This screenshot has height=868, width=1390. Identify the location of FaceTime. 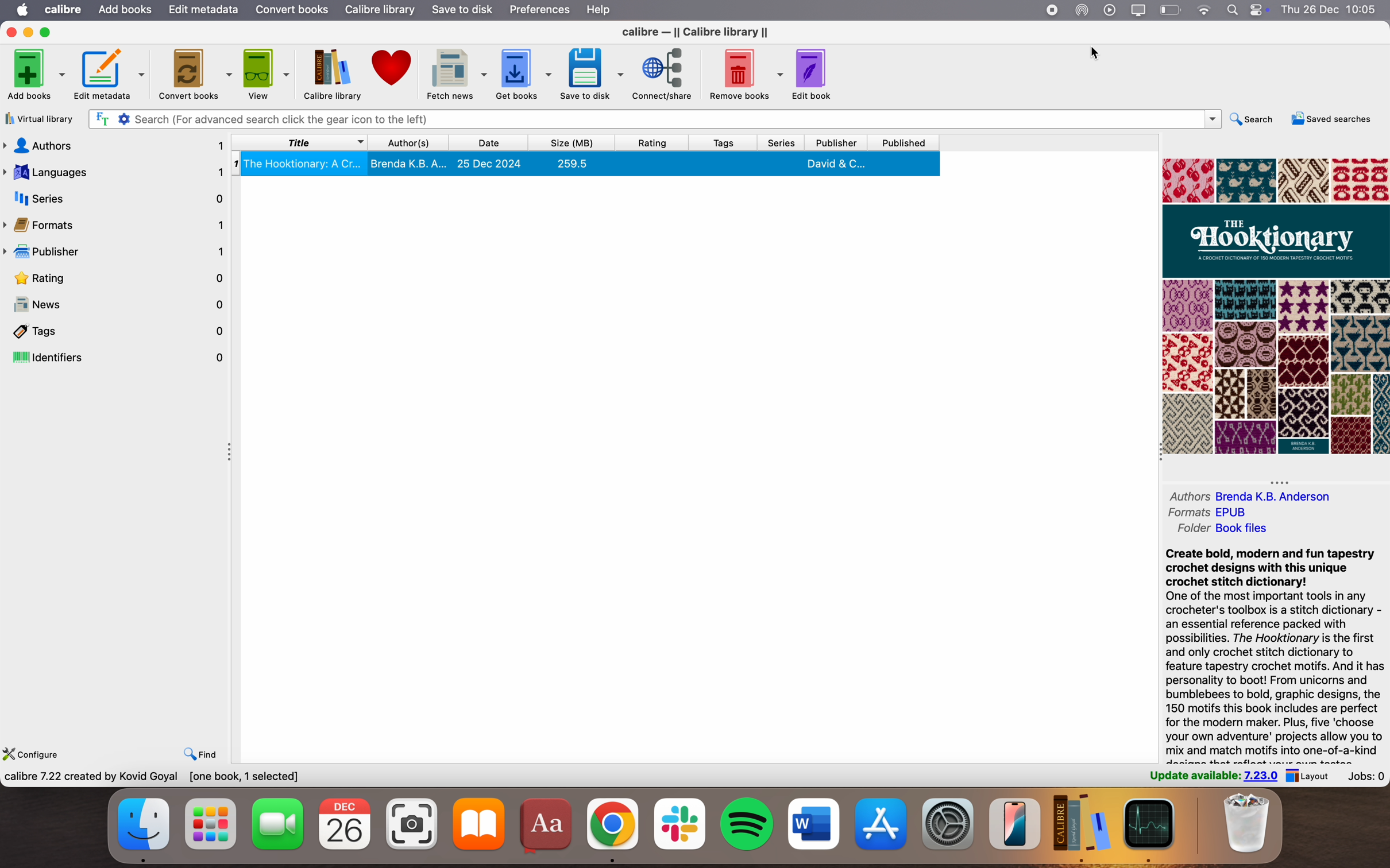
(276, 820).